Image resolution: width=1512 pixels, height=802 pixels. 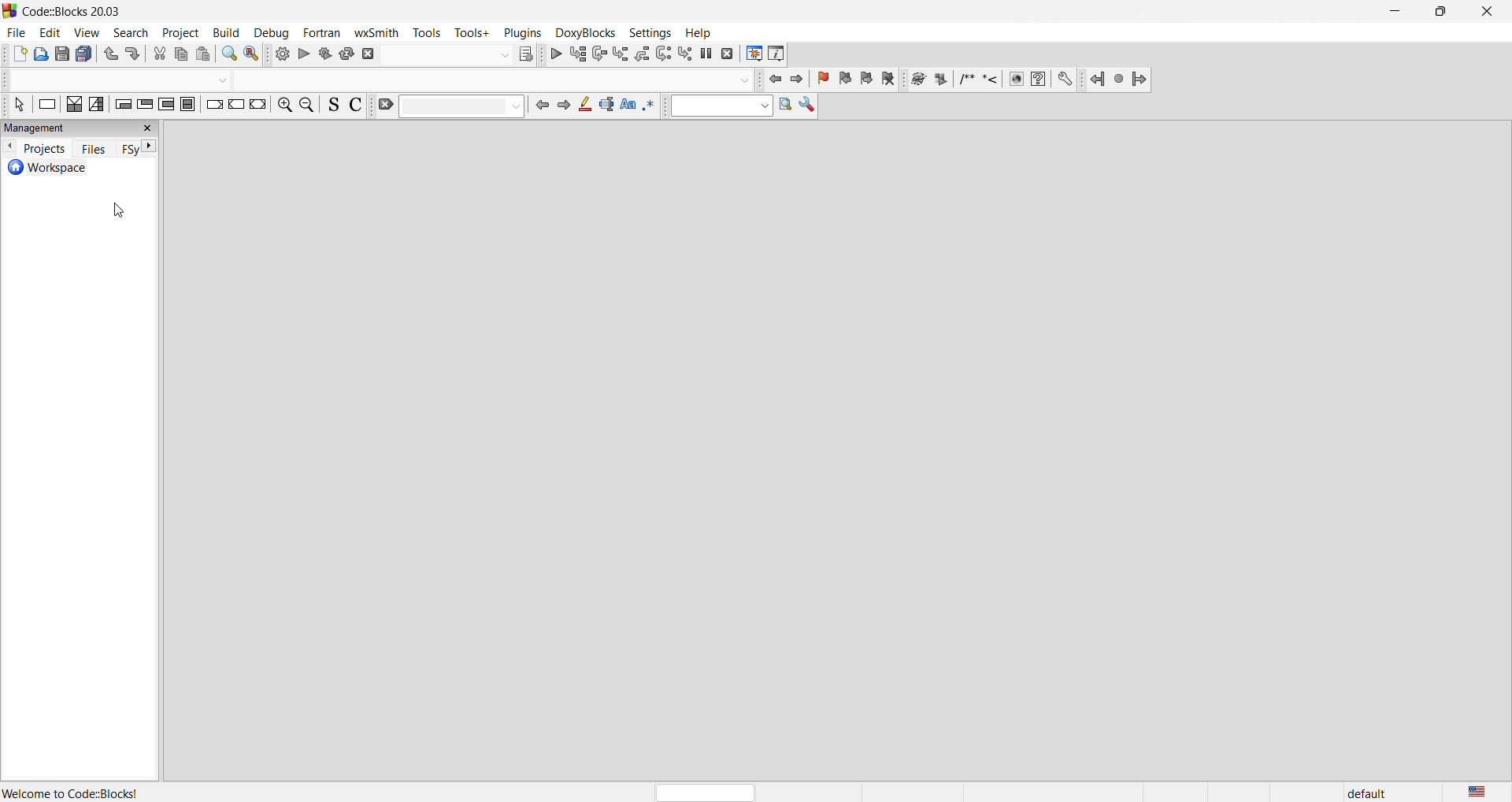 What do you see at coordinates (584, 32) in the screenshot?
I see `doxyBlocks` at bounding box center [584, 32].